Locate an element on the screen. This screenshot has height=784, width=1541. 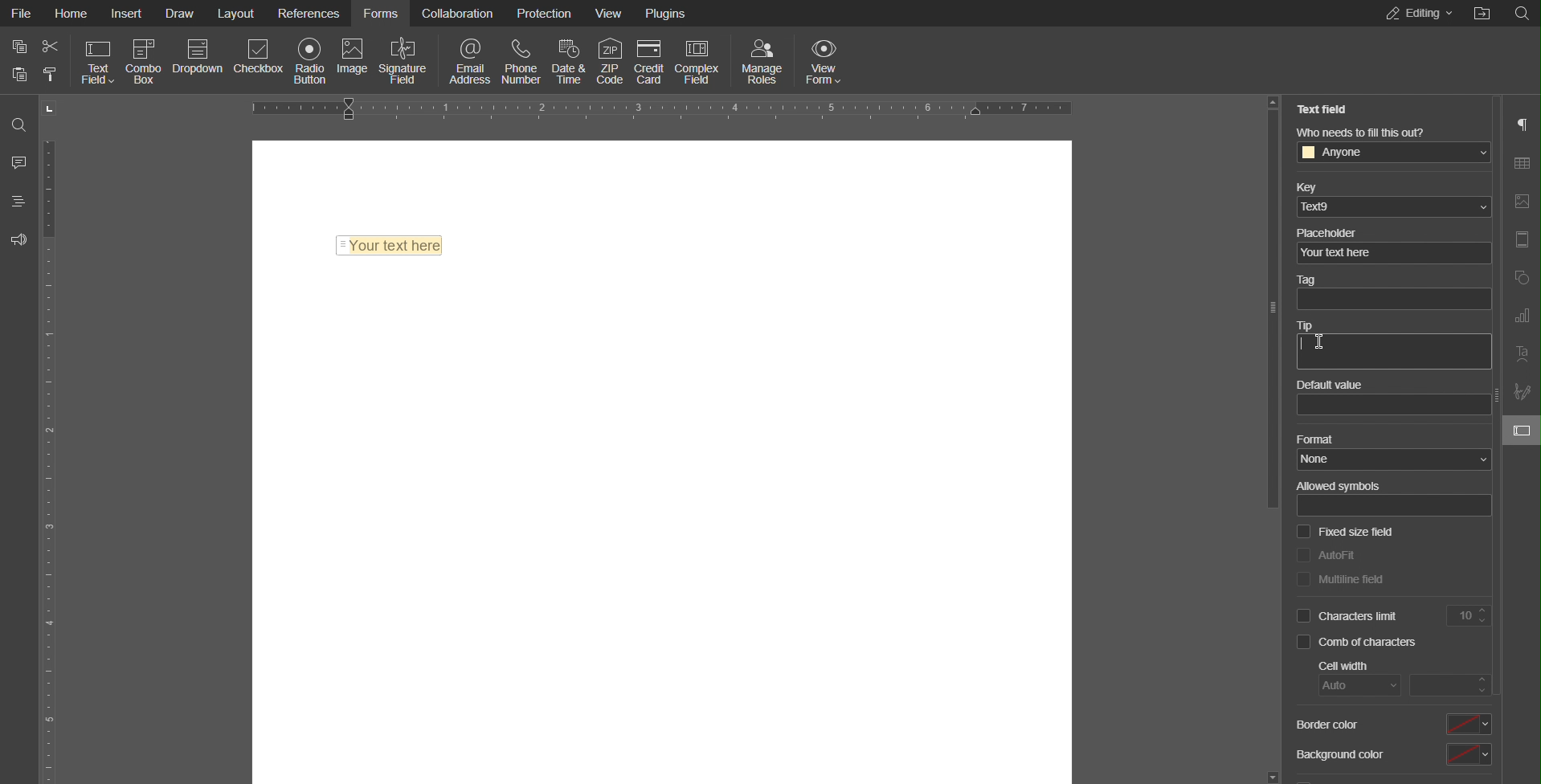
copy is located at coordinates (21, 47).